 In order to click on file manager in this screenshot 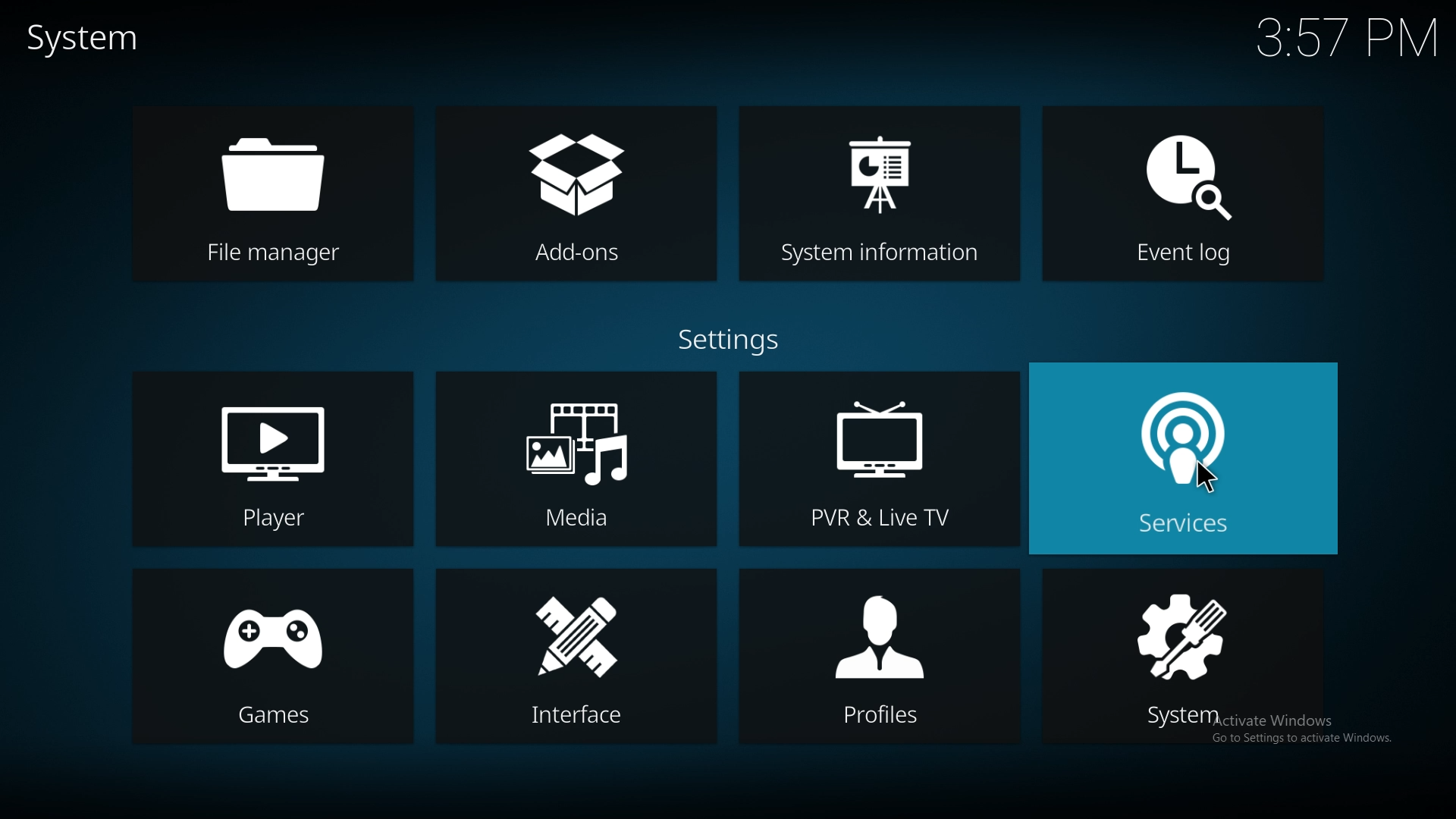, I will do `click(285, 195)`.